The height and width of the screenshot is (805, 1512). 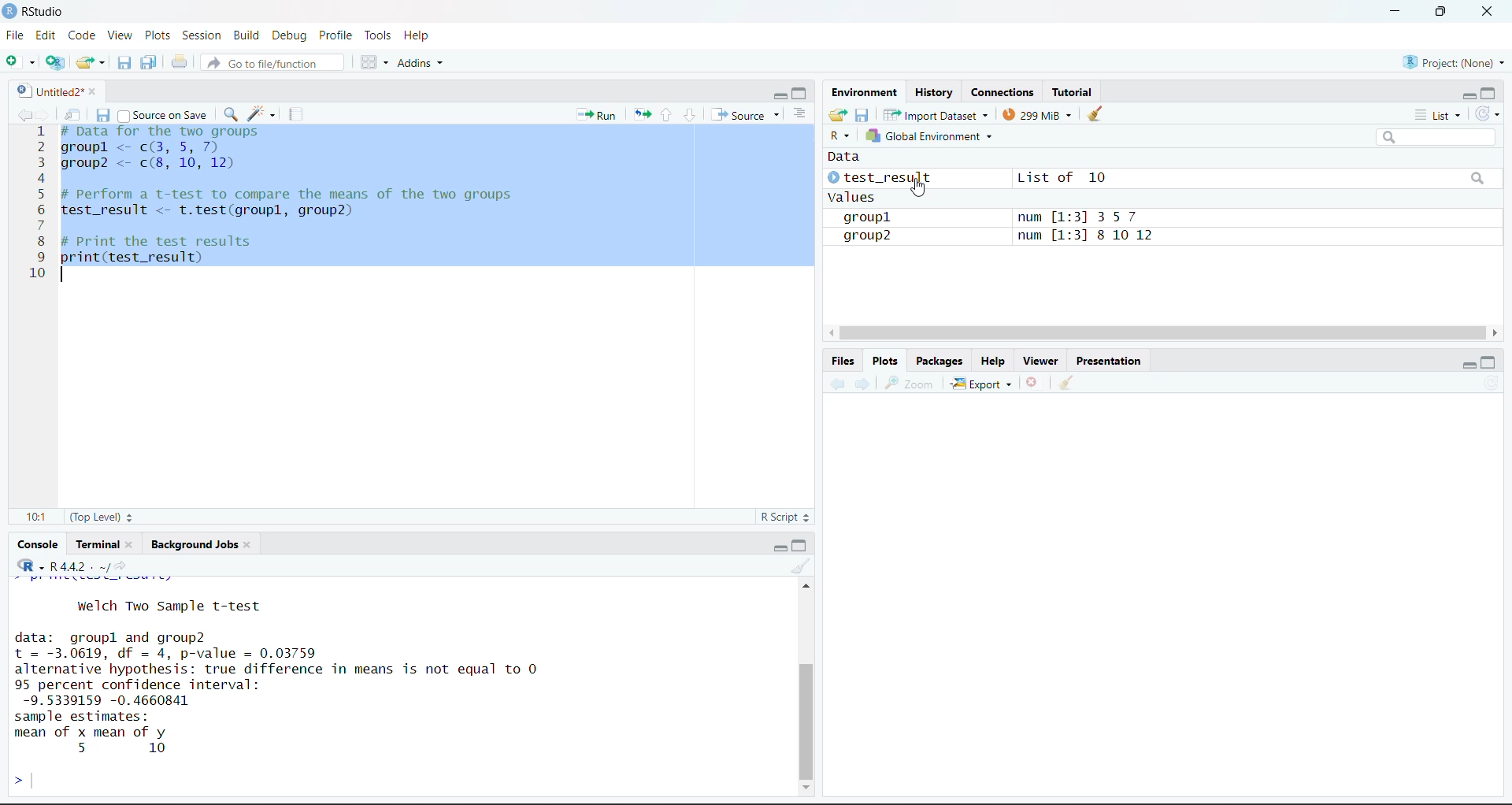 I want to click on addins, so click(x=424, y=61).